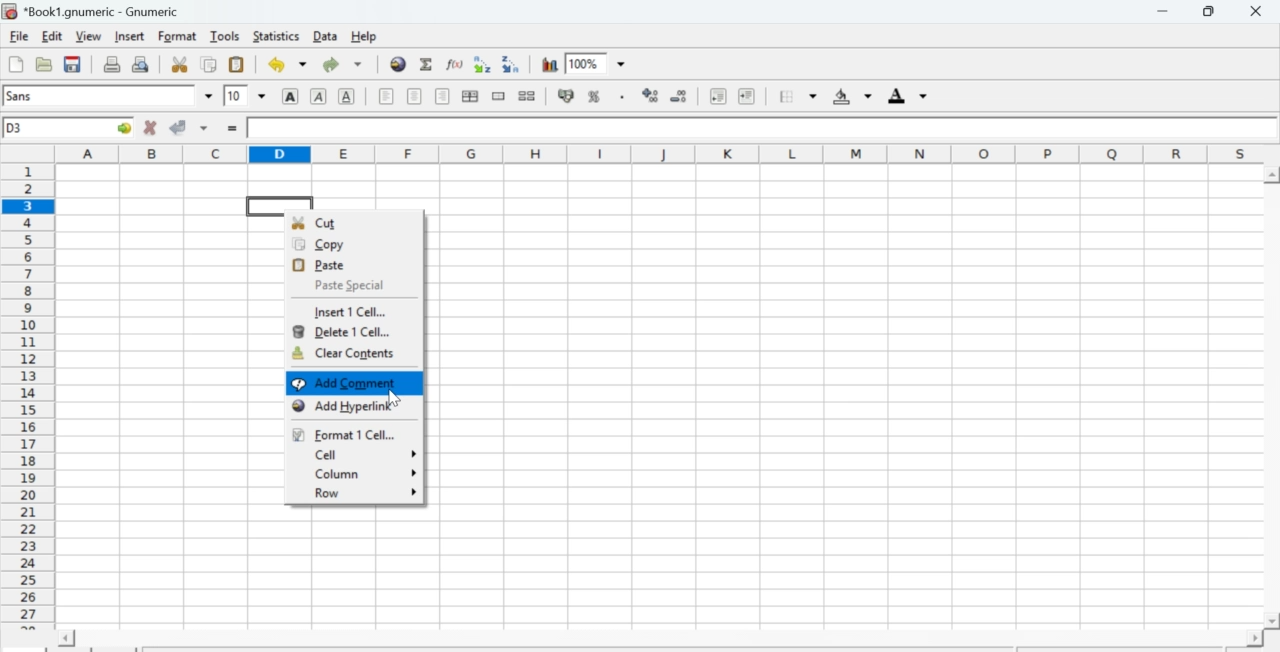 The height and width of the screenshot is (652, 1280). I want to click on Create new workbook, so click(13, 65).